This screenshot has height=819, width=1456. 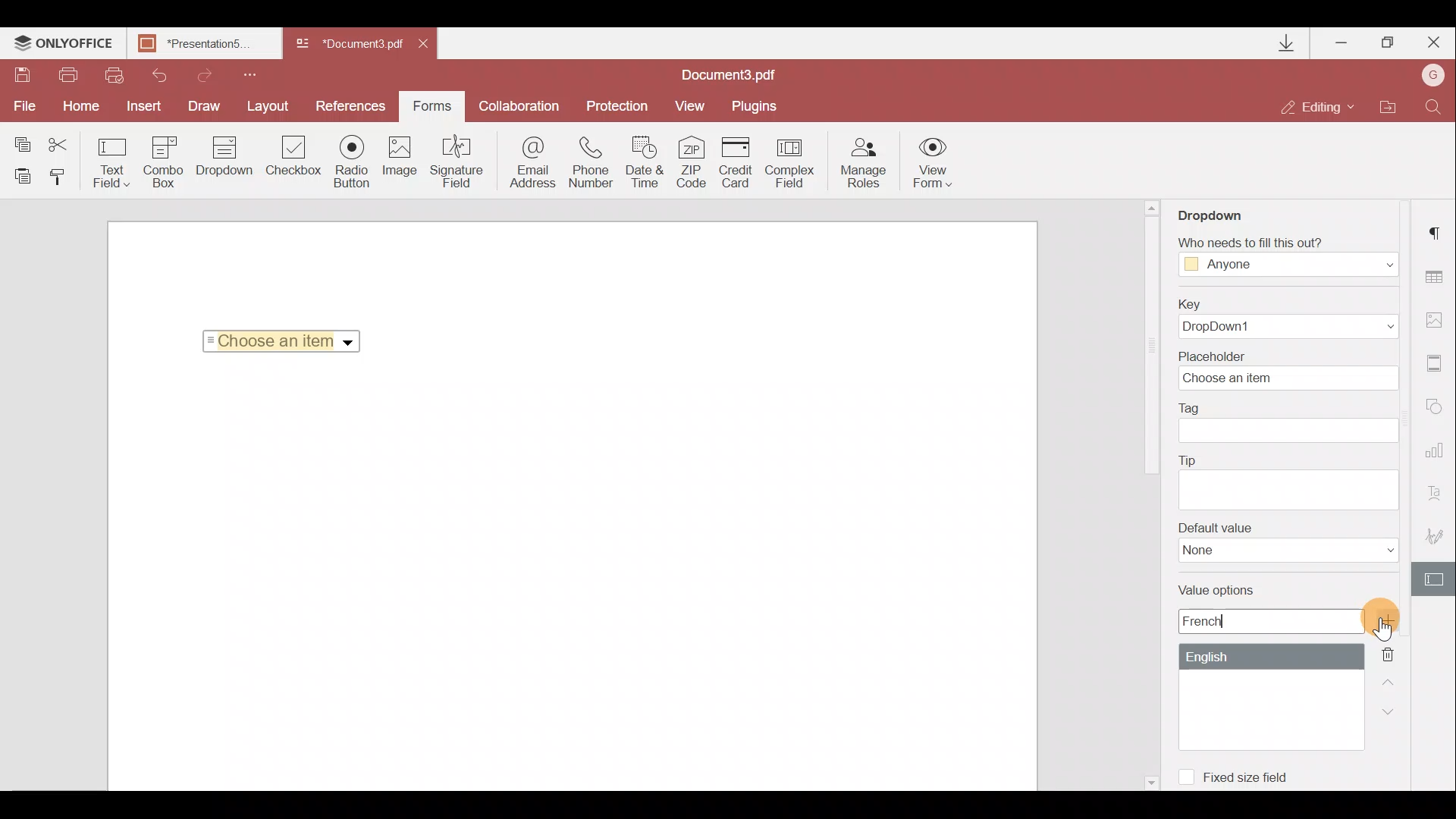 What do you see at coordinates (792, 162) in the screenshot?
I see `Complex field` at bounding box center [792, 162].